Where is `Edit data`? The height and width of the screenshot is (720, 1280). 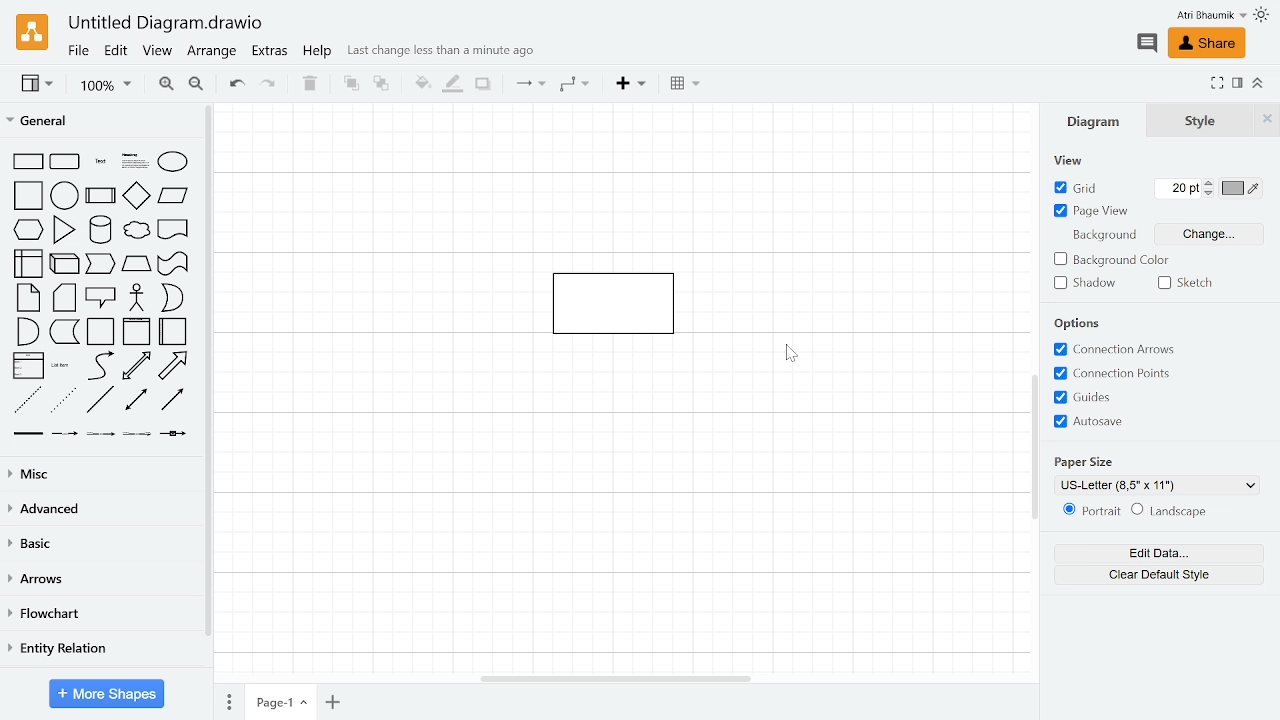
Edit data is located at coordinates (1155, 551).